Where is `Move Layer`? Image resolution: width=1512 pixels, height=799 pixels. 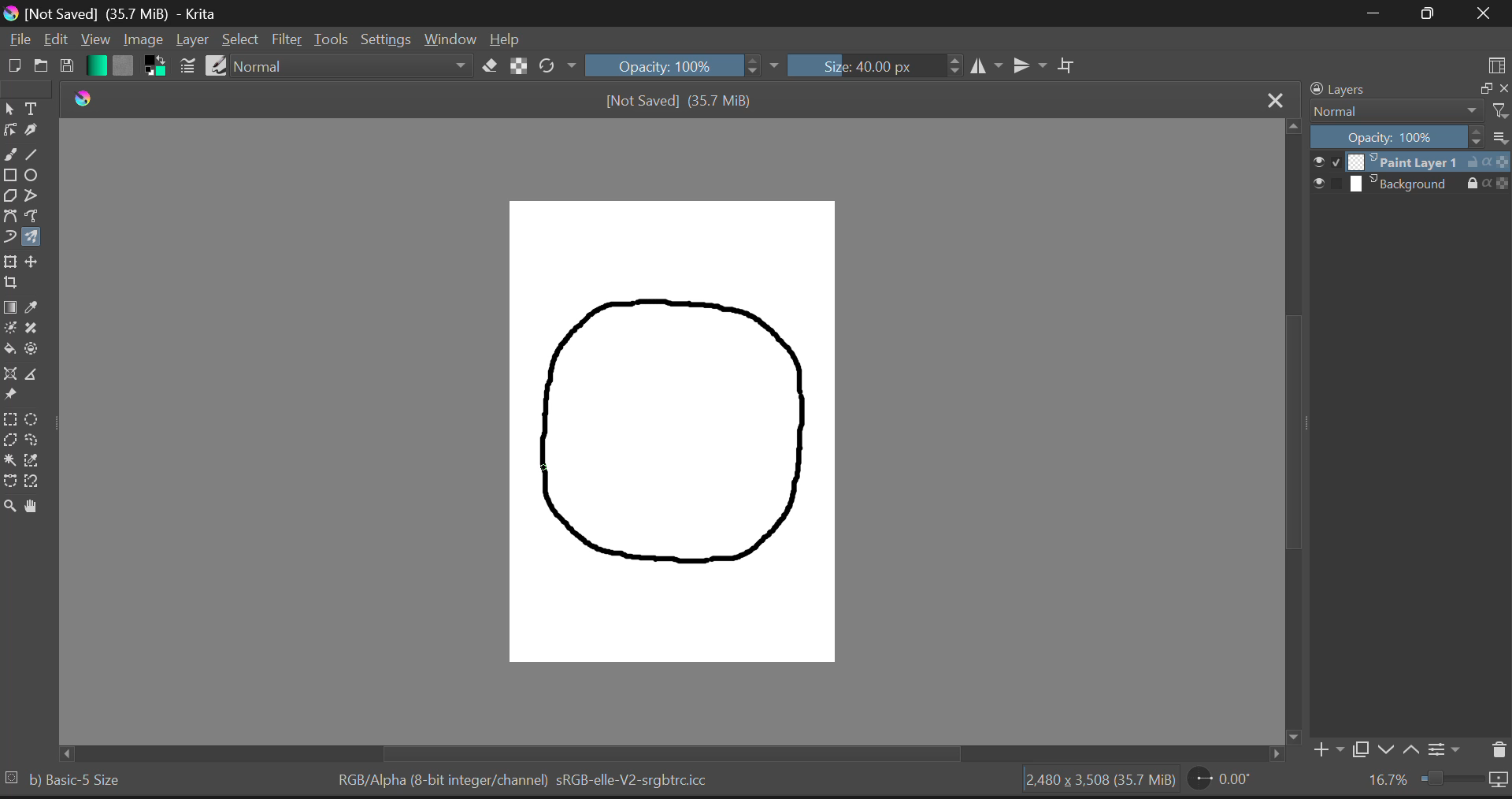 Move Layer is located at coordinates (35, 263).